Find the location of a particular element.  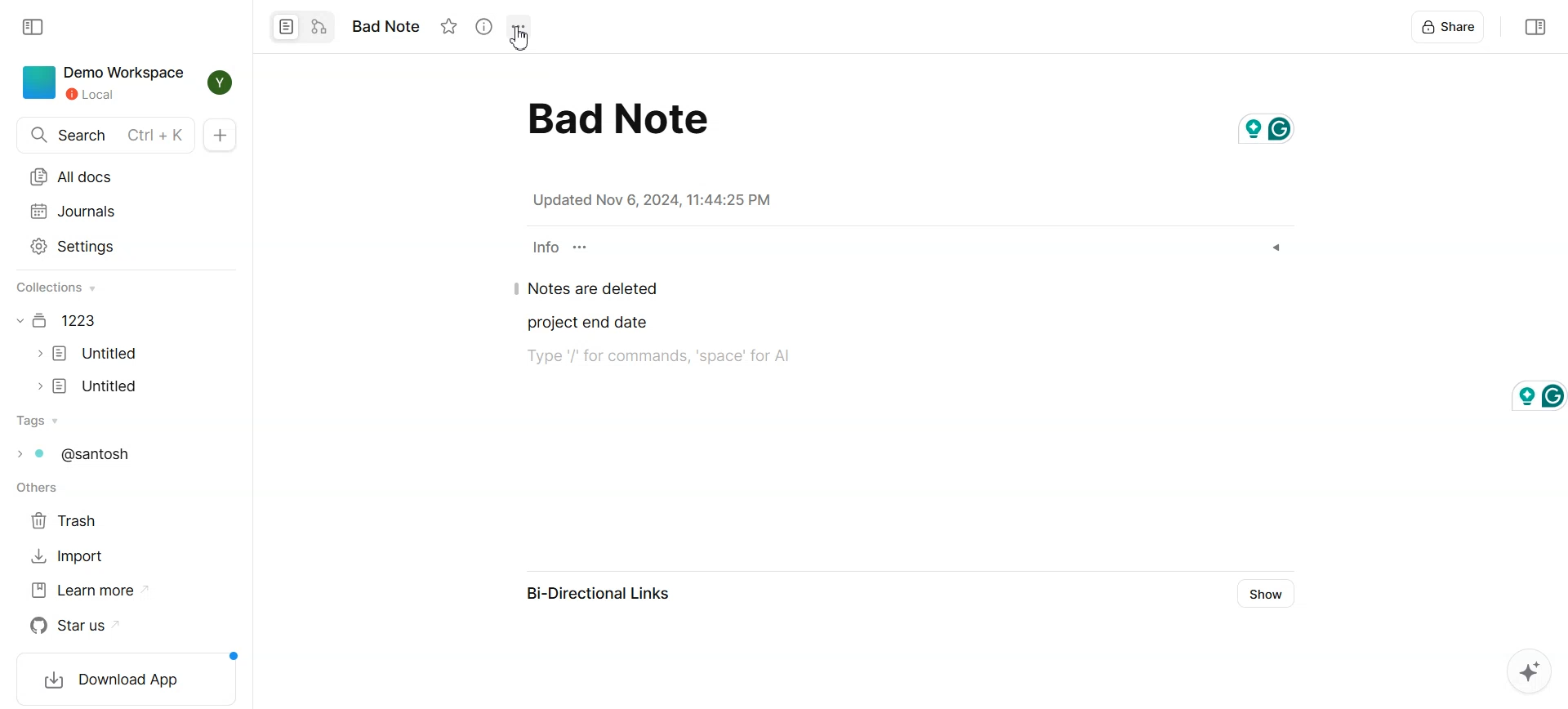

Show is located at coordinates (1263, 594).